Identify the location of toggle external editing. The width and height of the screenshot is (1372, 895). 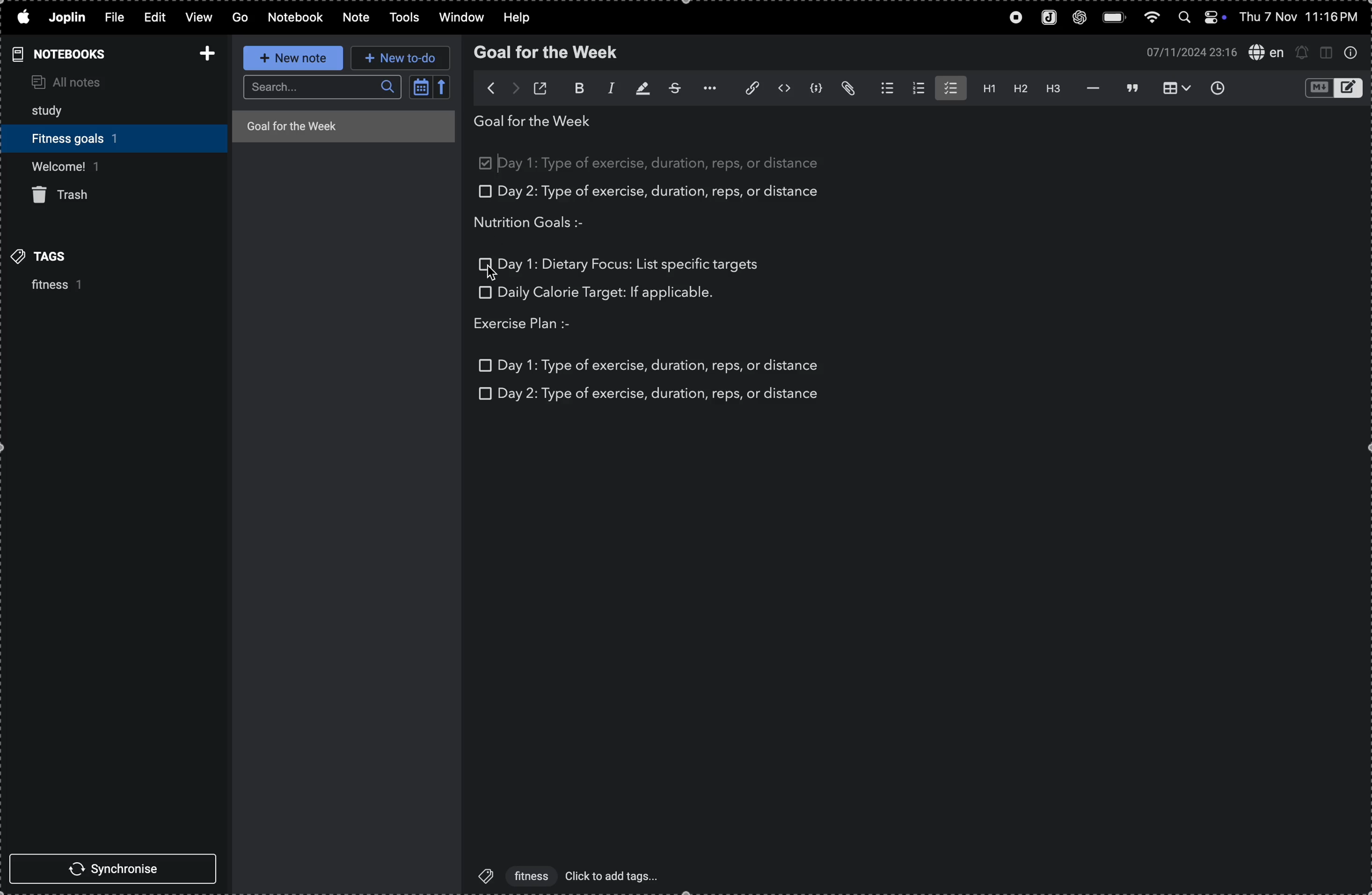
(543, 87).